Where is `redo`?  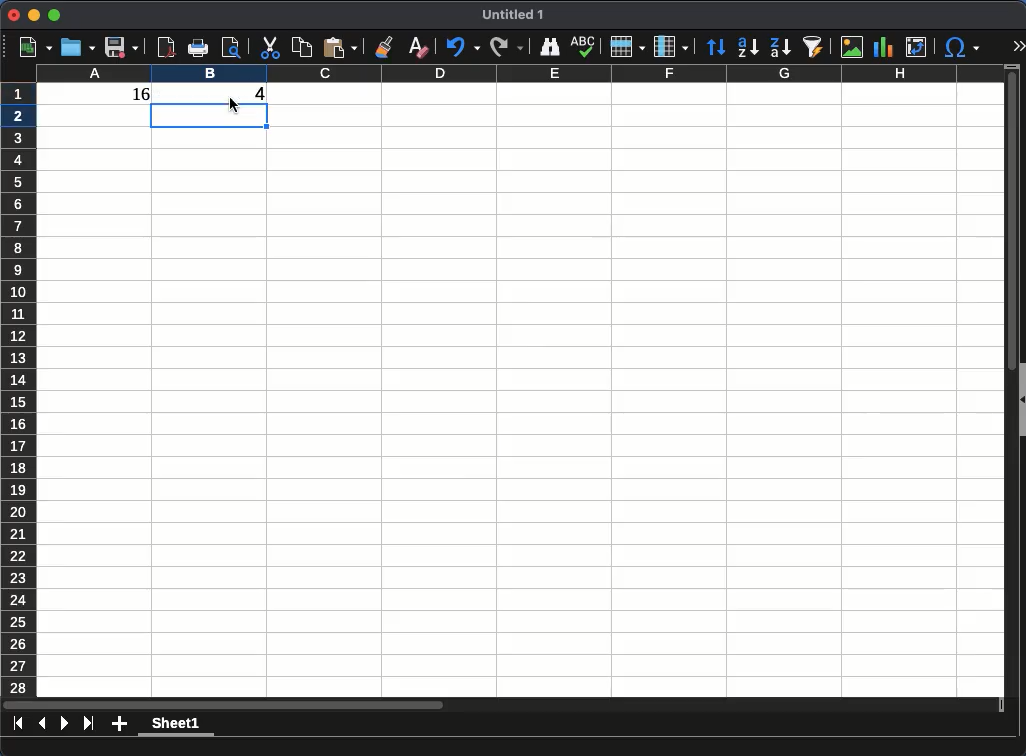 redo is located at coordinates (507, 47).